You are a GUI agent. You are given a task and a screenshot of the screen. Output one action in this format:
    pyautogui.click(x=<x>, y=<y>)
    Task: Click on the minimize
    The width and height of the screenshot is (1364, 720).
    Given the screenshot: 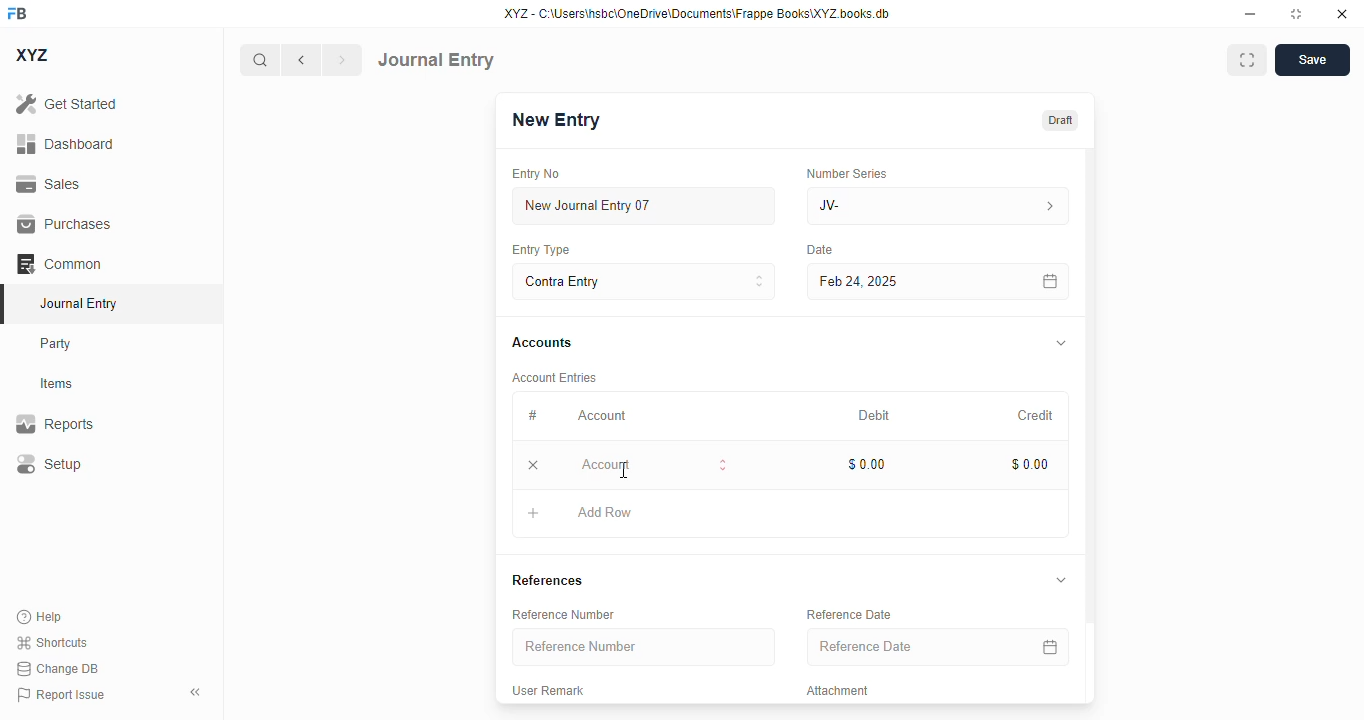 What is the action you would take?
    pyautogui.click(x=1251, y=14)
    